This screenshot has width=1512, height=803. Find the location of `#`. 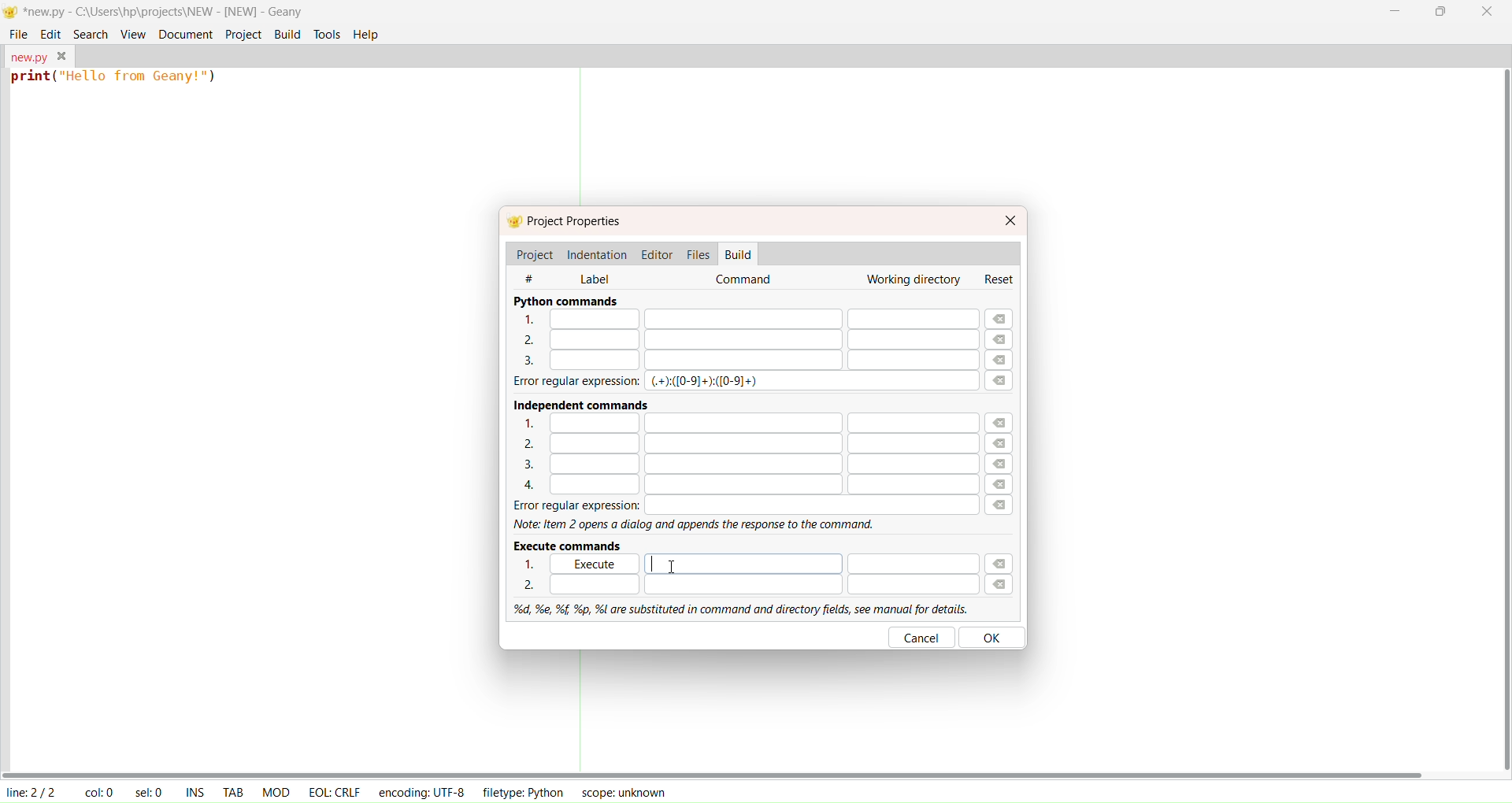

# is located at coordinates (539, 277).